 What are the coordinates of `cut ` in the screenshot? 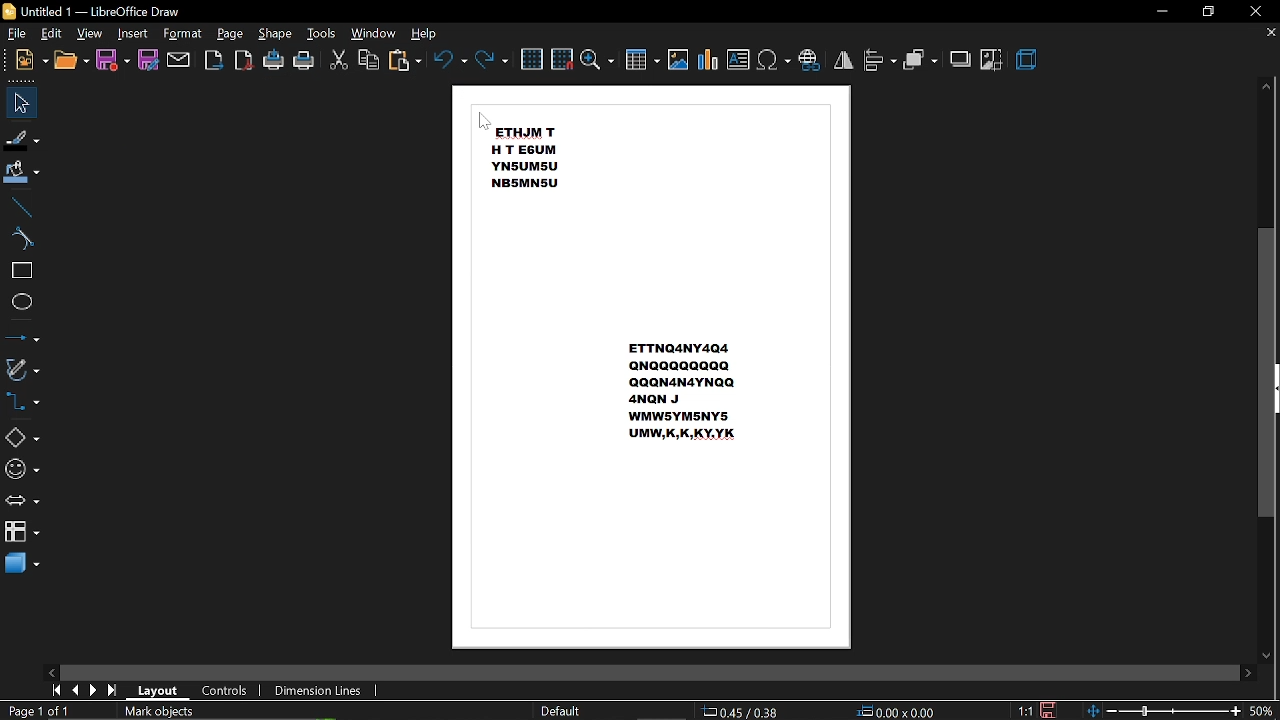 It's located at (339, 60).